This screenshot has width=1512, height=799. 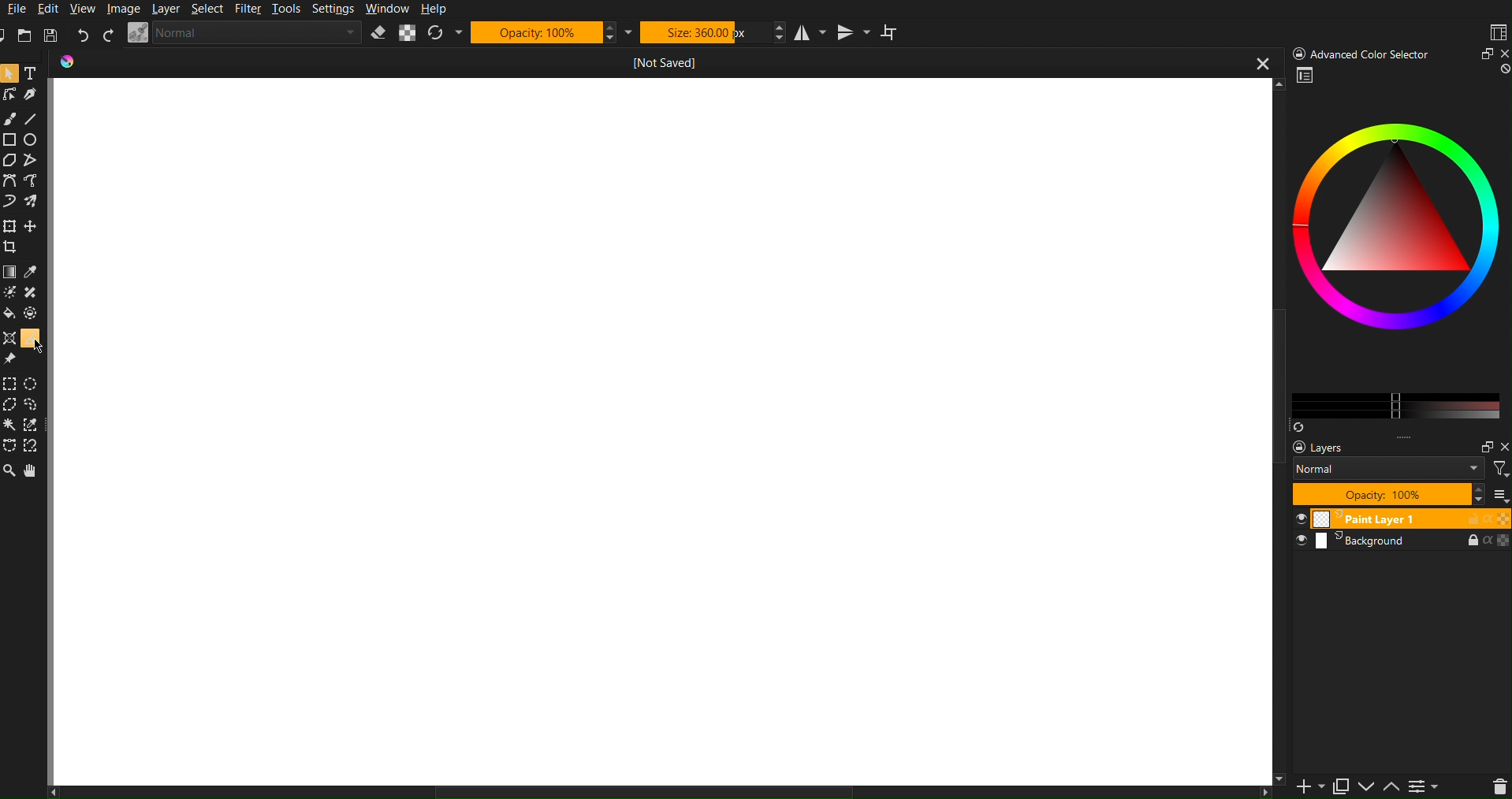 What do you see at coordinates (167, 9) in the screenshot?
I see `Layer` at bounding box center [167, 9].